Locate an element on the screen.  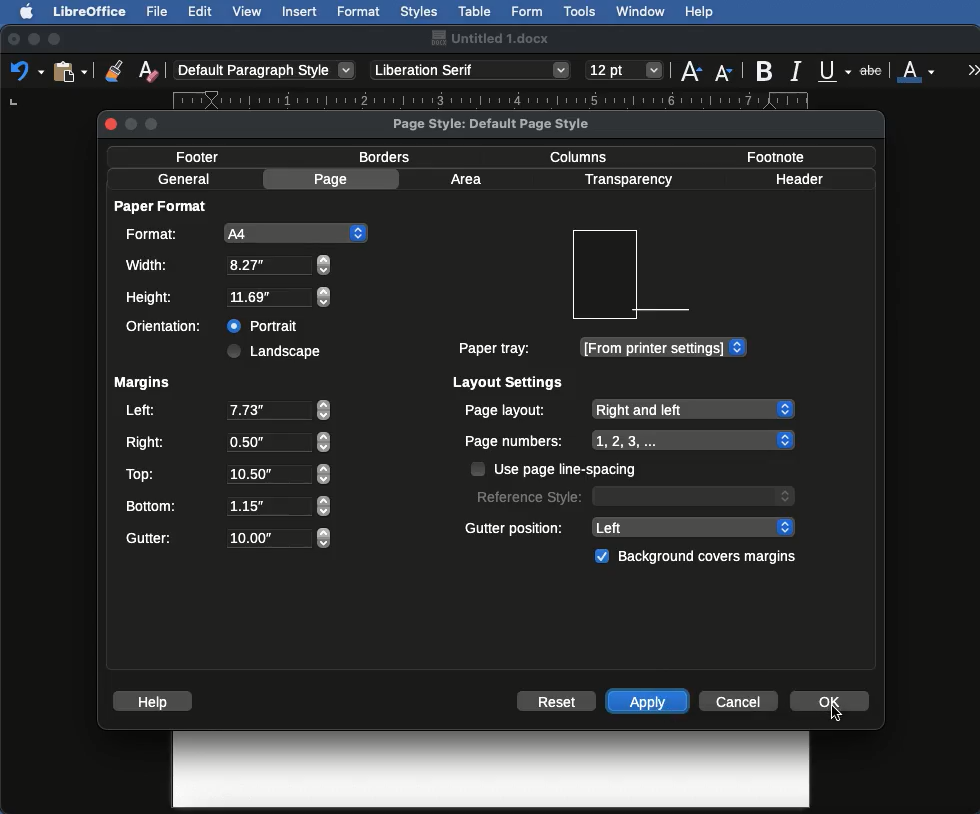
Size decrease is located at coordinates (728, 72).